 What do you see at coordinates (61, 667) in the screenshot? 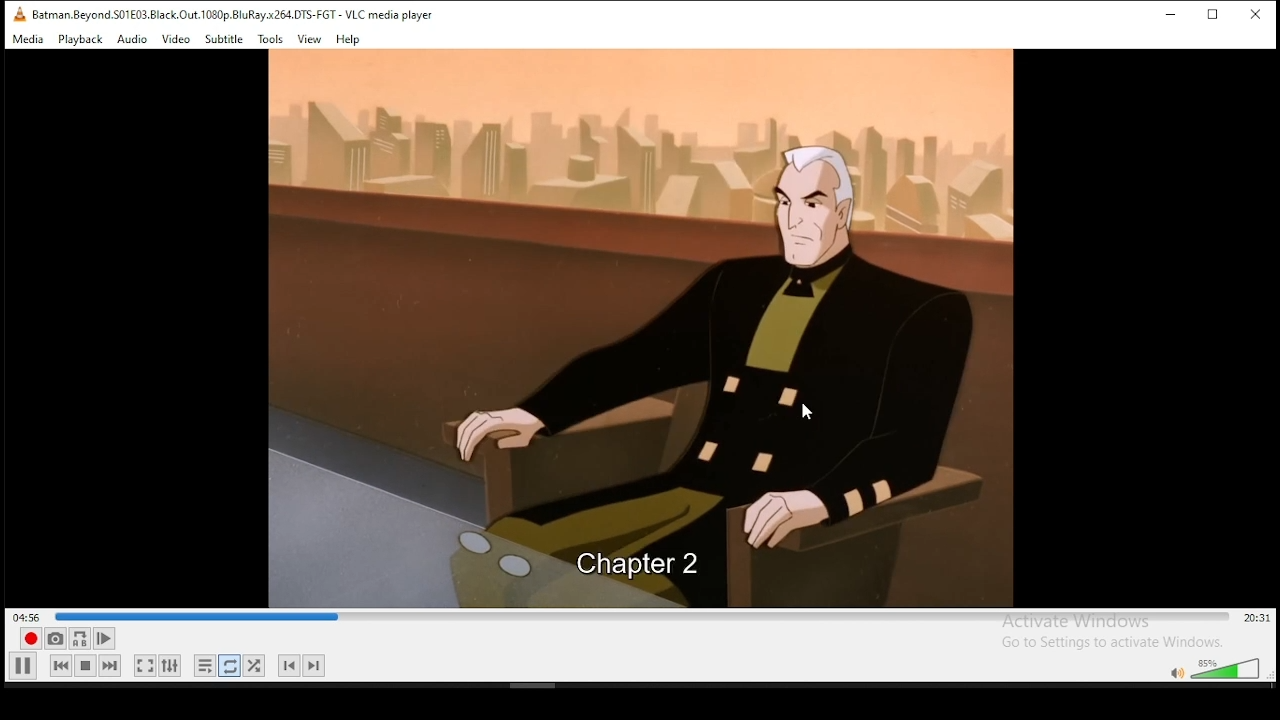
I see `rewind` at bounding box center [61, 667].